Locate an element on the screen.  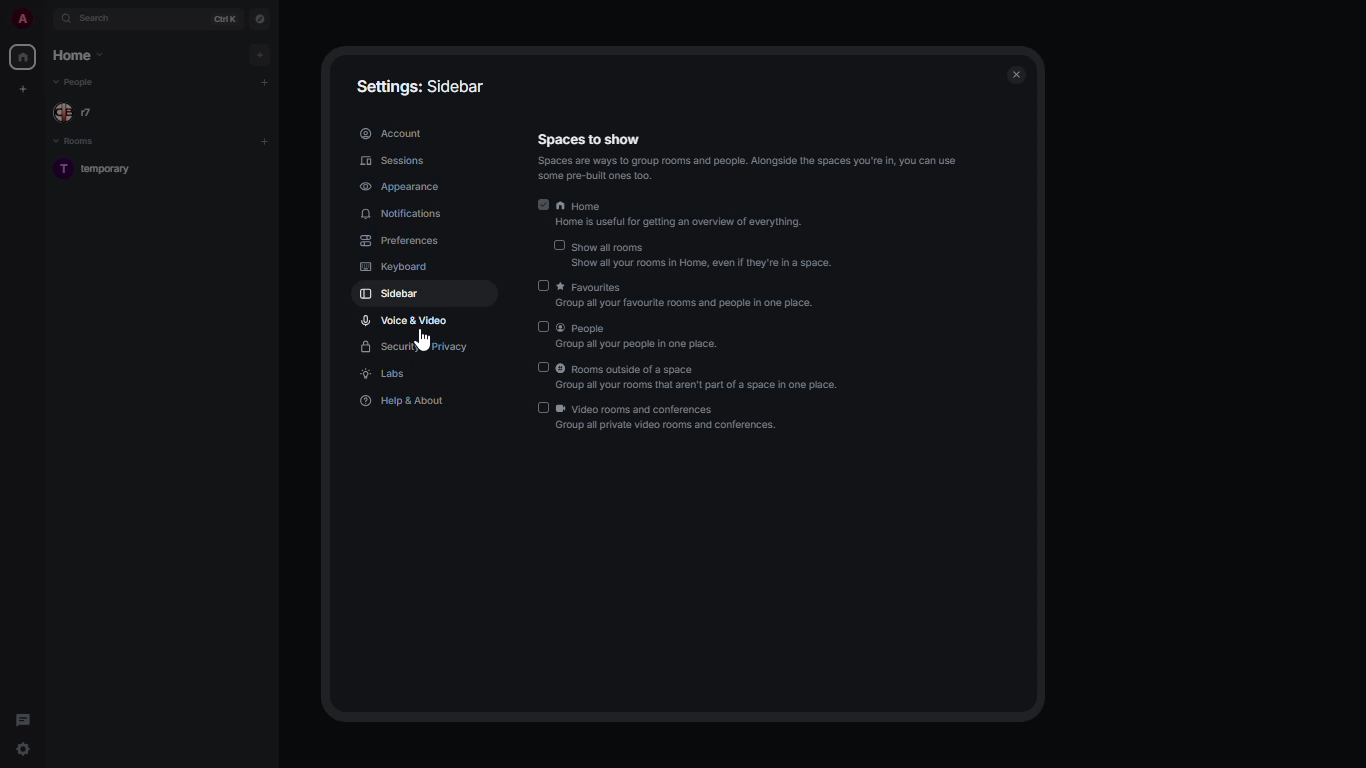
home is located at coordinates (24, 58).